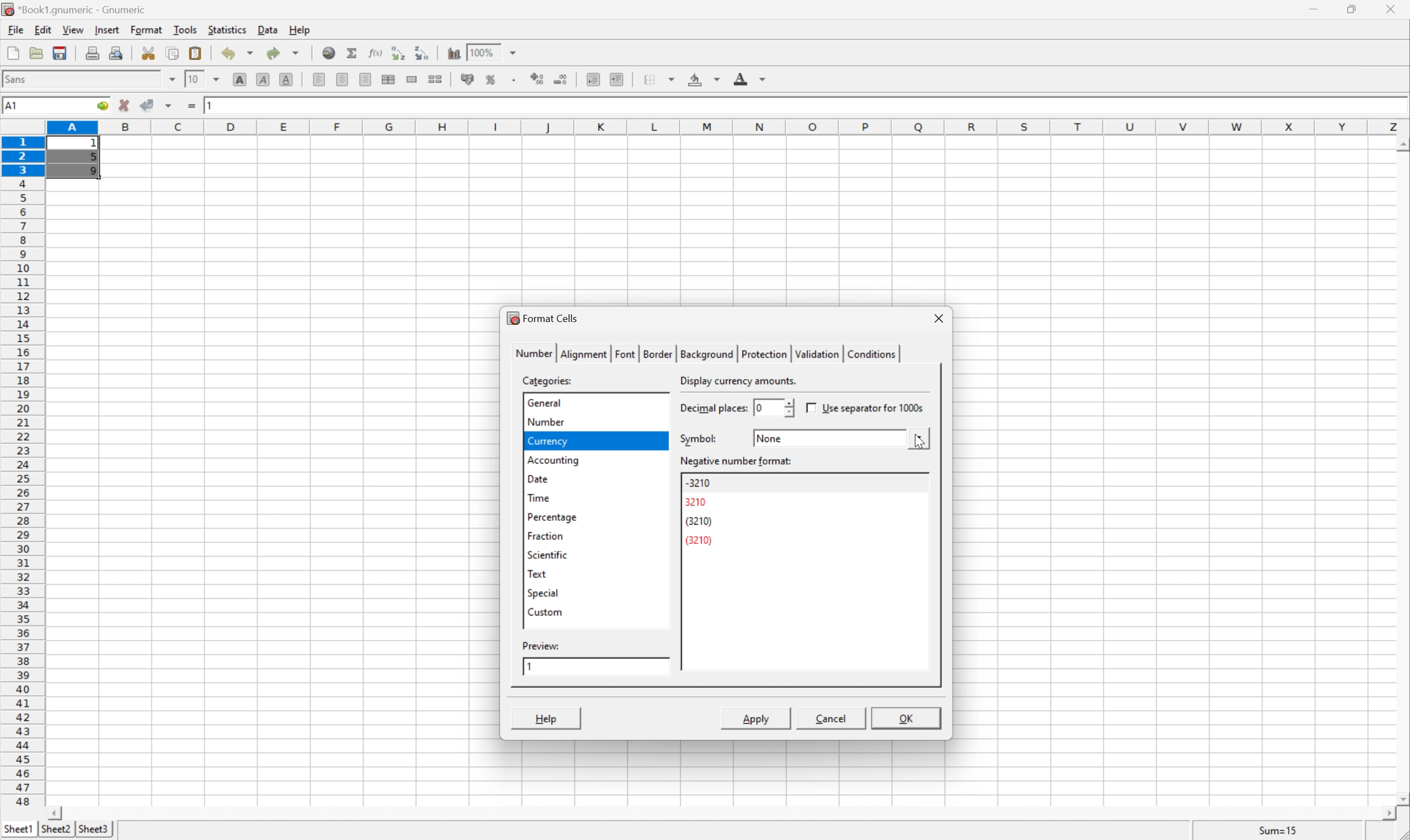 The height and width of the screenshot is (840, 1410). Describe the element at coordinates (920, 448) in the screenshot. I see `cursor` at that location.